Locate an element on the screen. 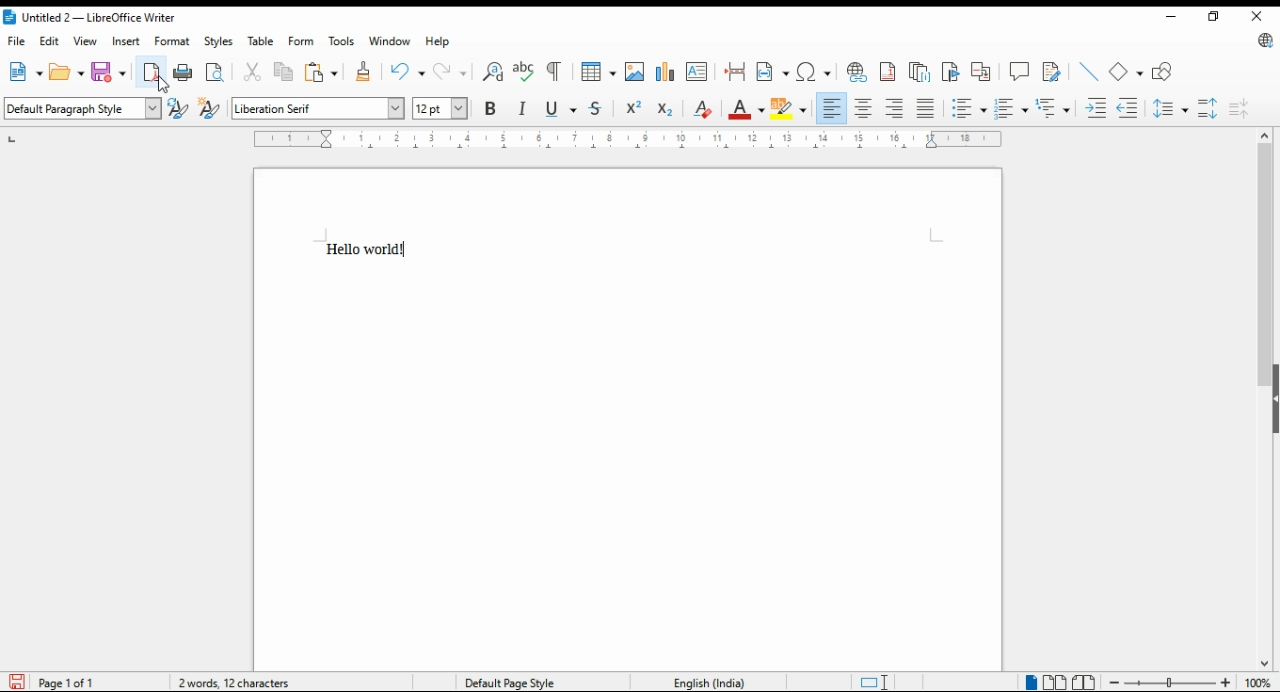 The width and height of the screenshot is (1280, 692). insert cross-refrence is located at coordinates (982, 69).